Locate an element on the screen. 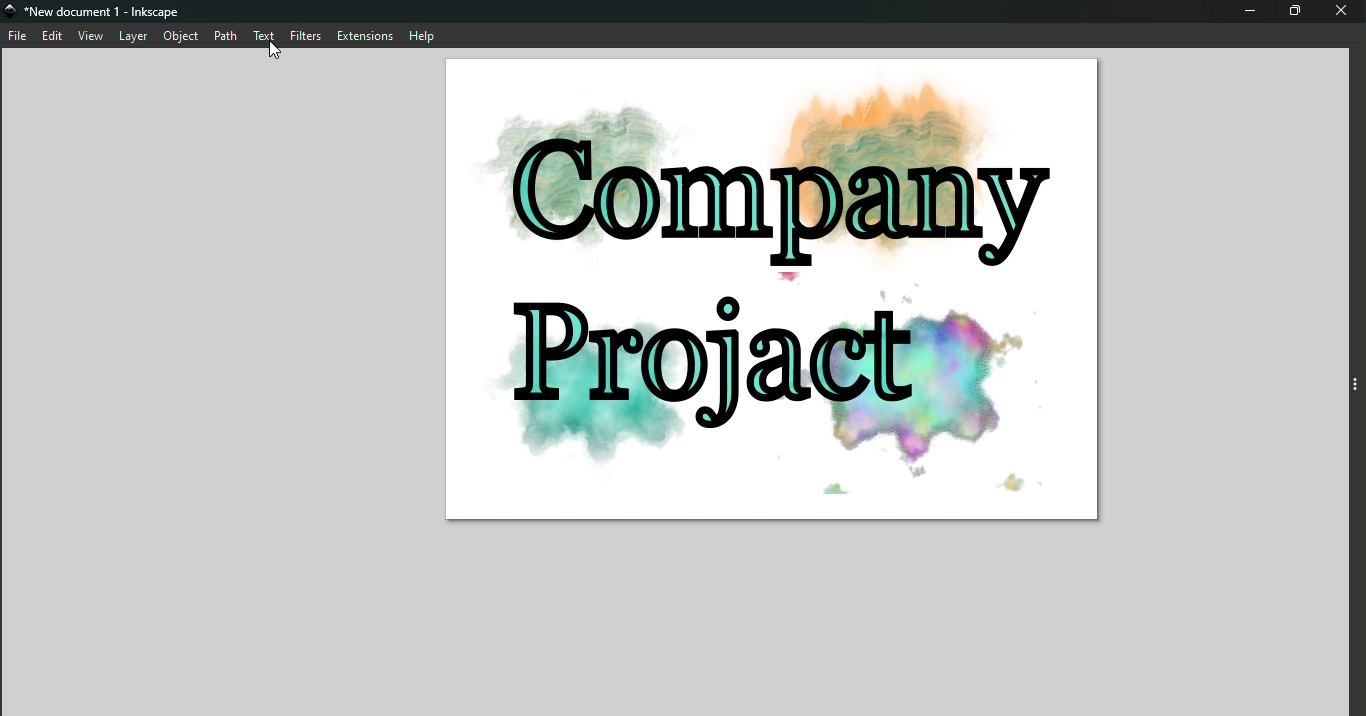  cursor is located at coordinates (275, 50).